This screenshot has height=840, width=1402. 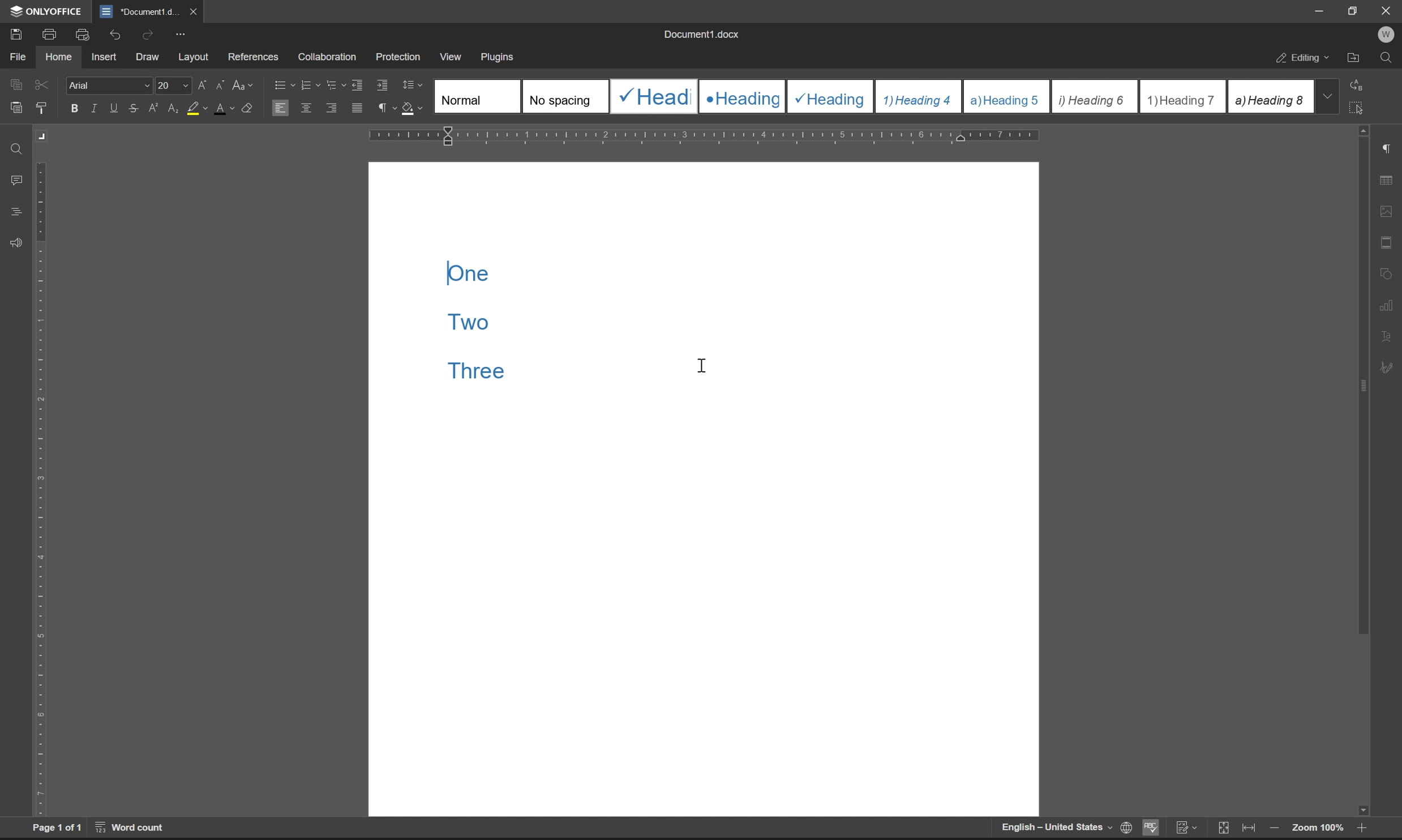 What do you see at coordinates (1386, 208) in the screenshot?
I see `image settings` at bounding box center [1386, 208].